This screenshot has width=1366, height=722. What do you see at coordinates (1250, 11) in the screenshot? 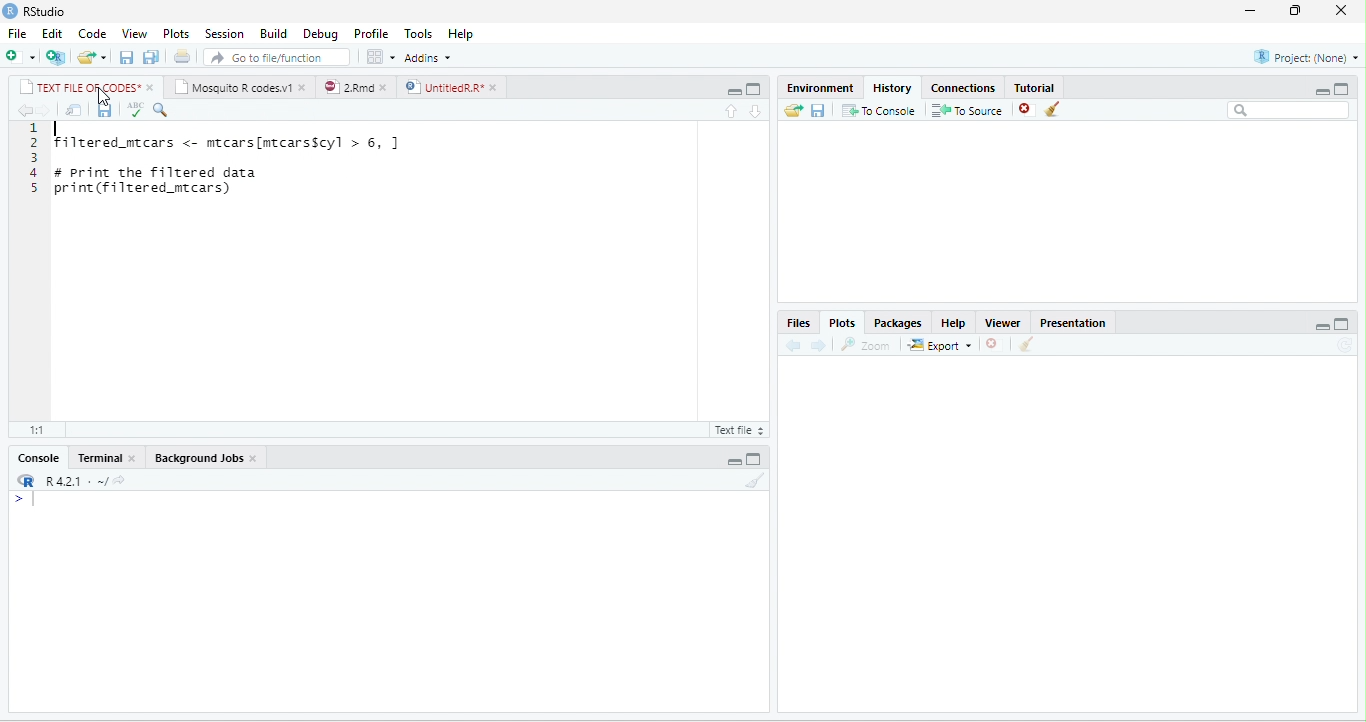
I see `minimize` at bounding box center [1250, 11].